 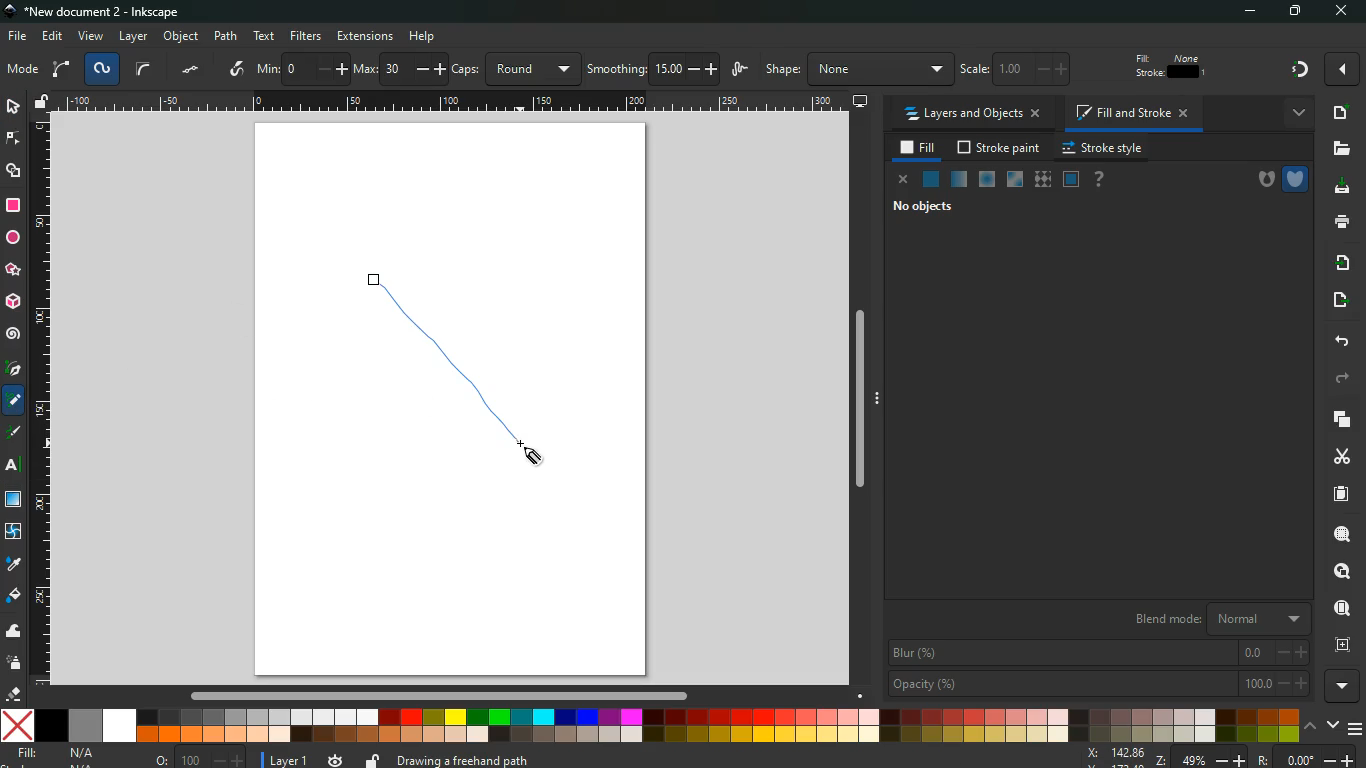 What do you see at coordinates (133, 36) in the screenshot?
I see `layer` at bounding box center [133, 36].